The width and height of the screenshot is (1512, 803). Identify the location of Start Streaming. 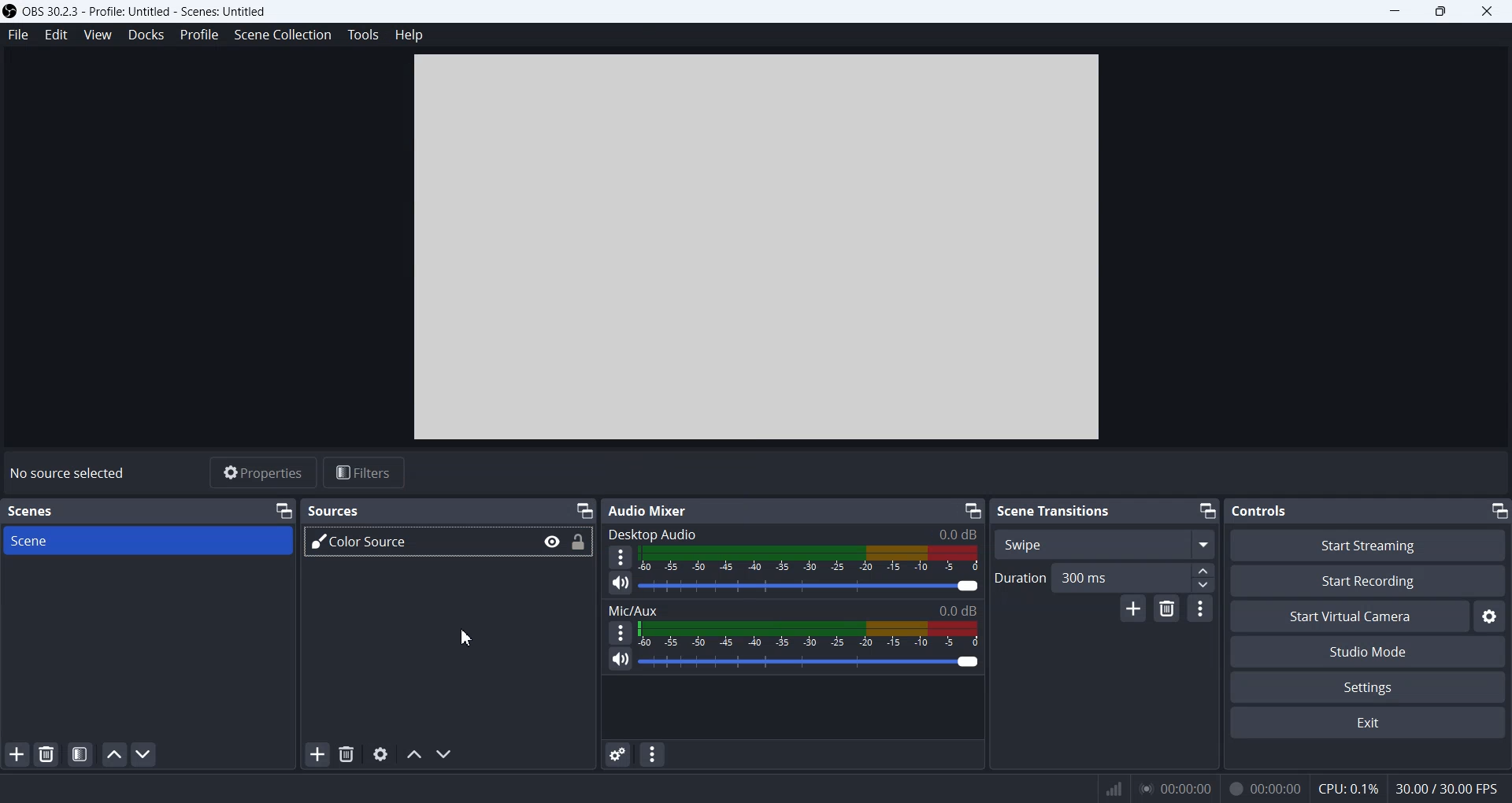
(1367, 545).